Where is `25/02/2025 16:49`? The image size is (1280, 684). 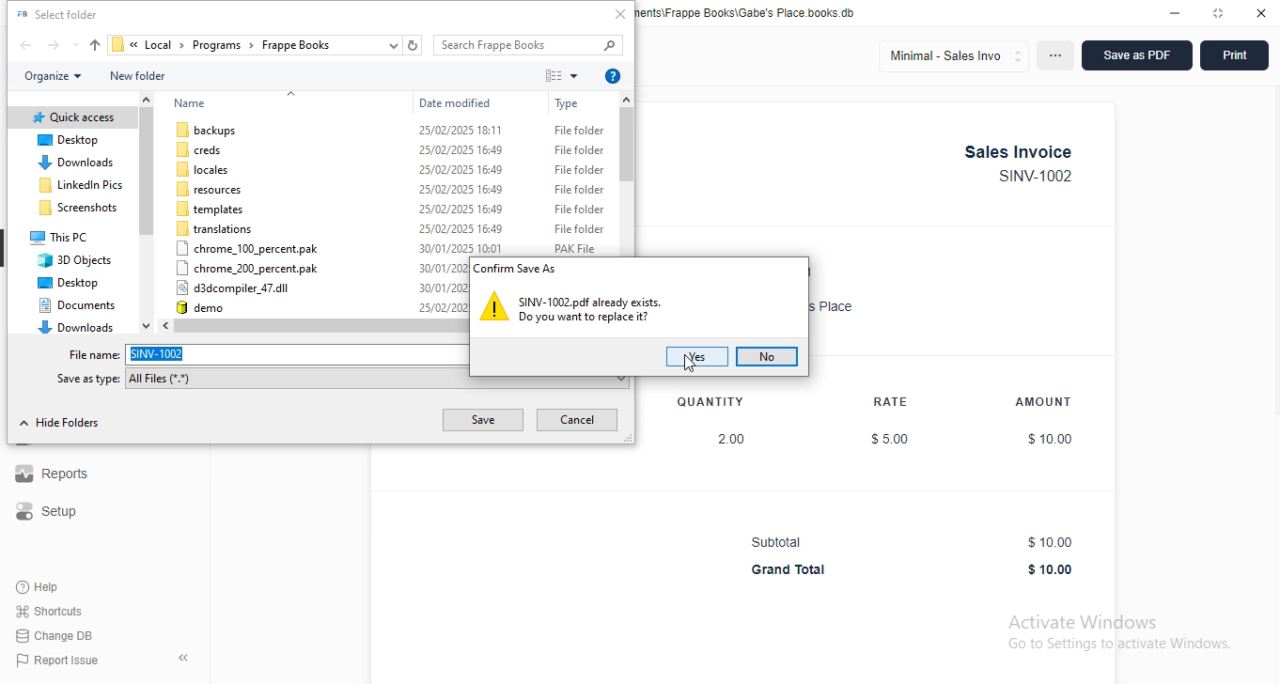 25/02/2025 16:49 is located at coordinates (460, 169).